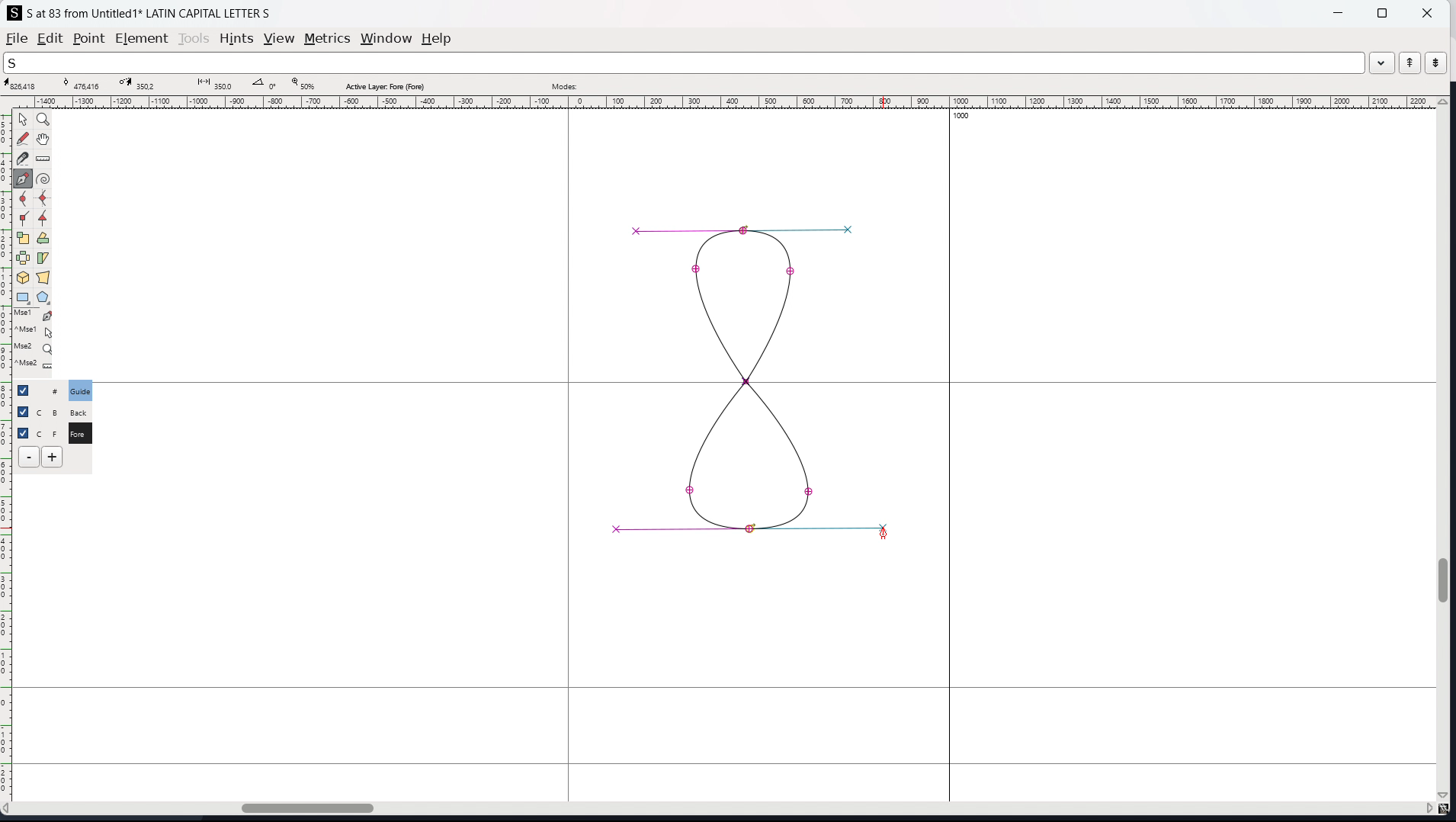  I want to click on cut splines in two, so click(23, 159).